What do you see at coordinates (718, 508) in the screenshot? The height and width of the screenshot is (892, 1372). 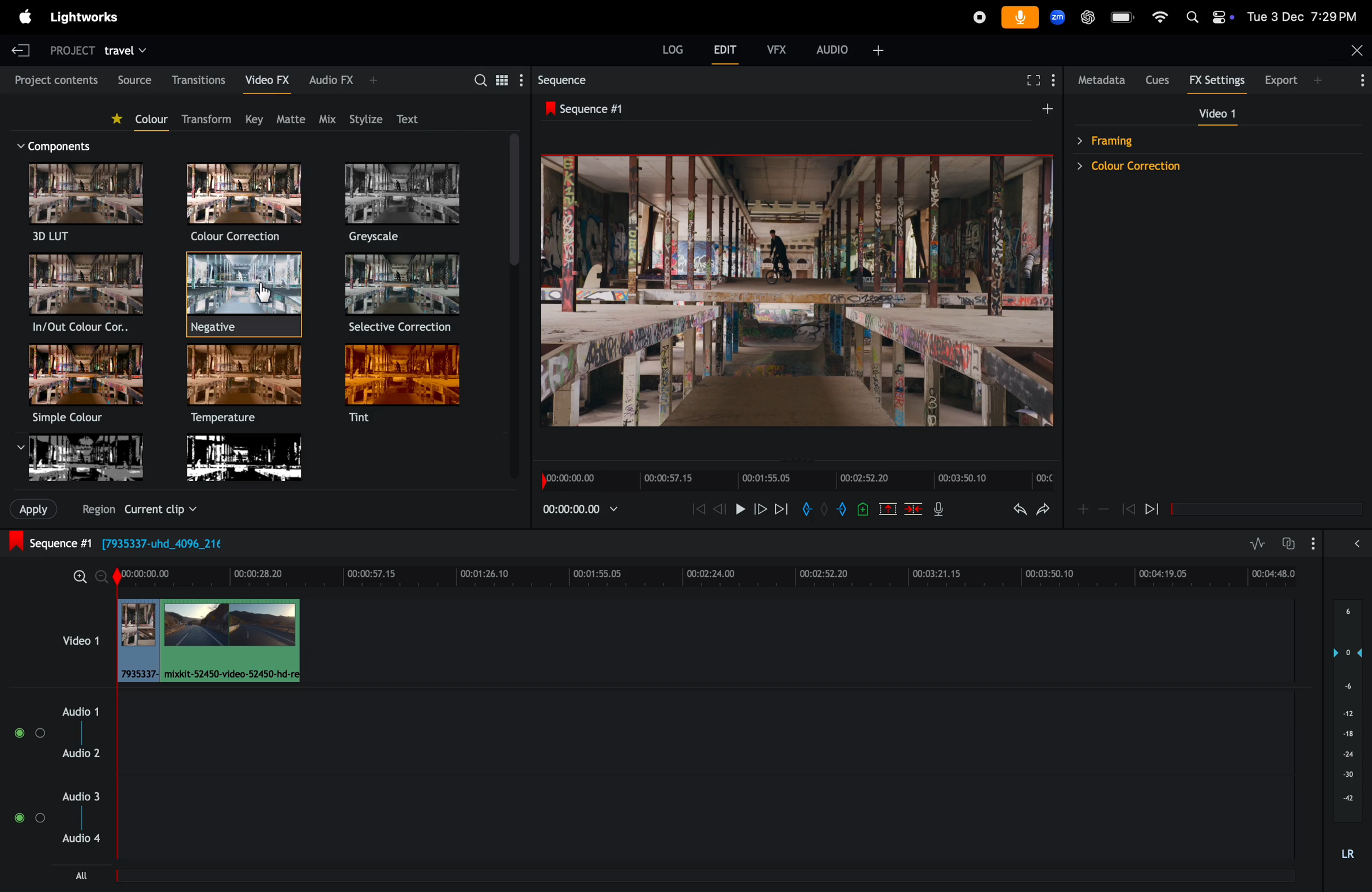 I see `rewind` at bounding box center [718, 508].